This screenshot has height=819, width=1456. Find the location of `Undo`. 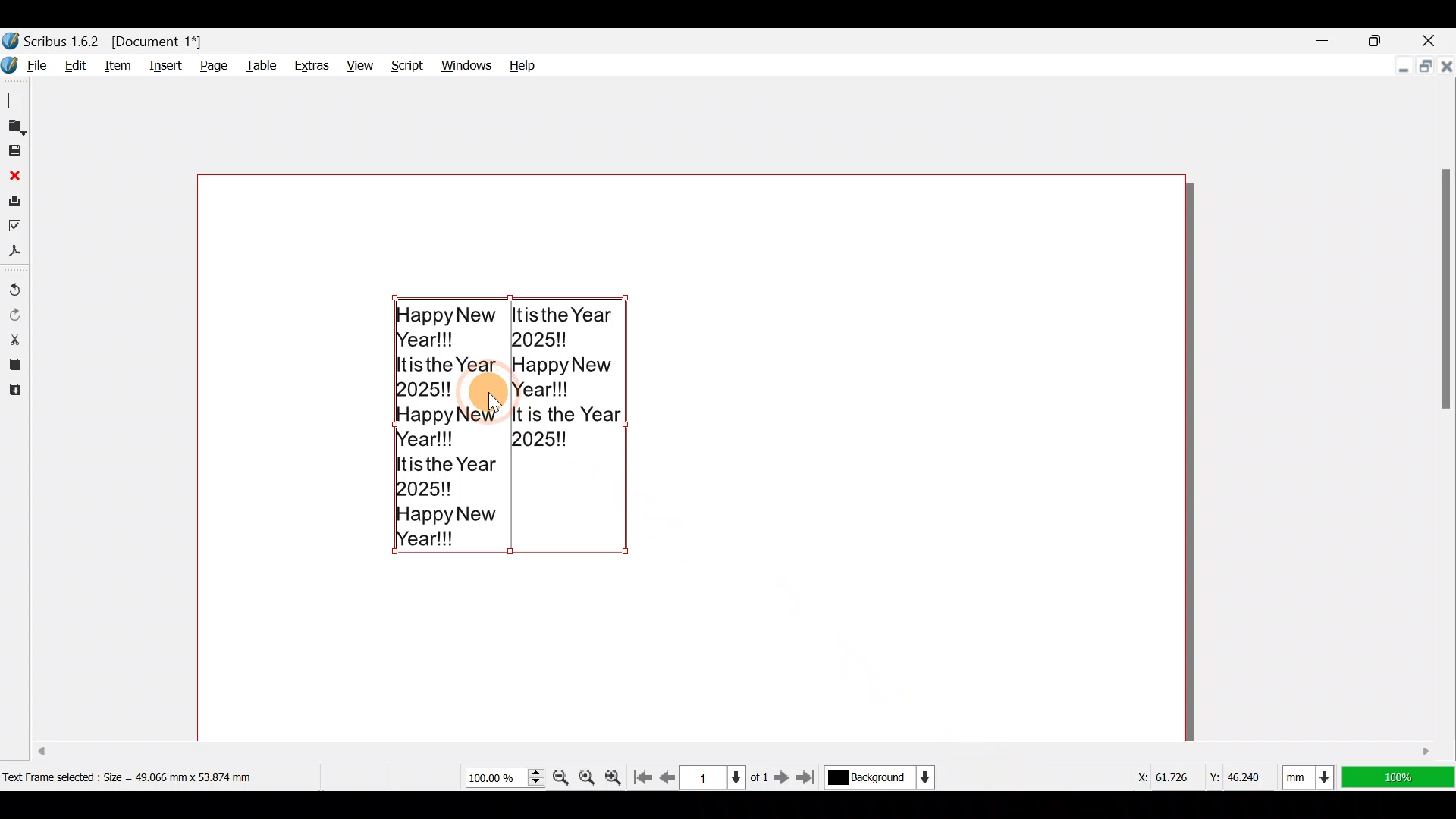

Undo is located at coordinates (15, 283).